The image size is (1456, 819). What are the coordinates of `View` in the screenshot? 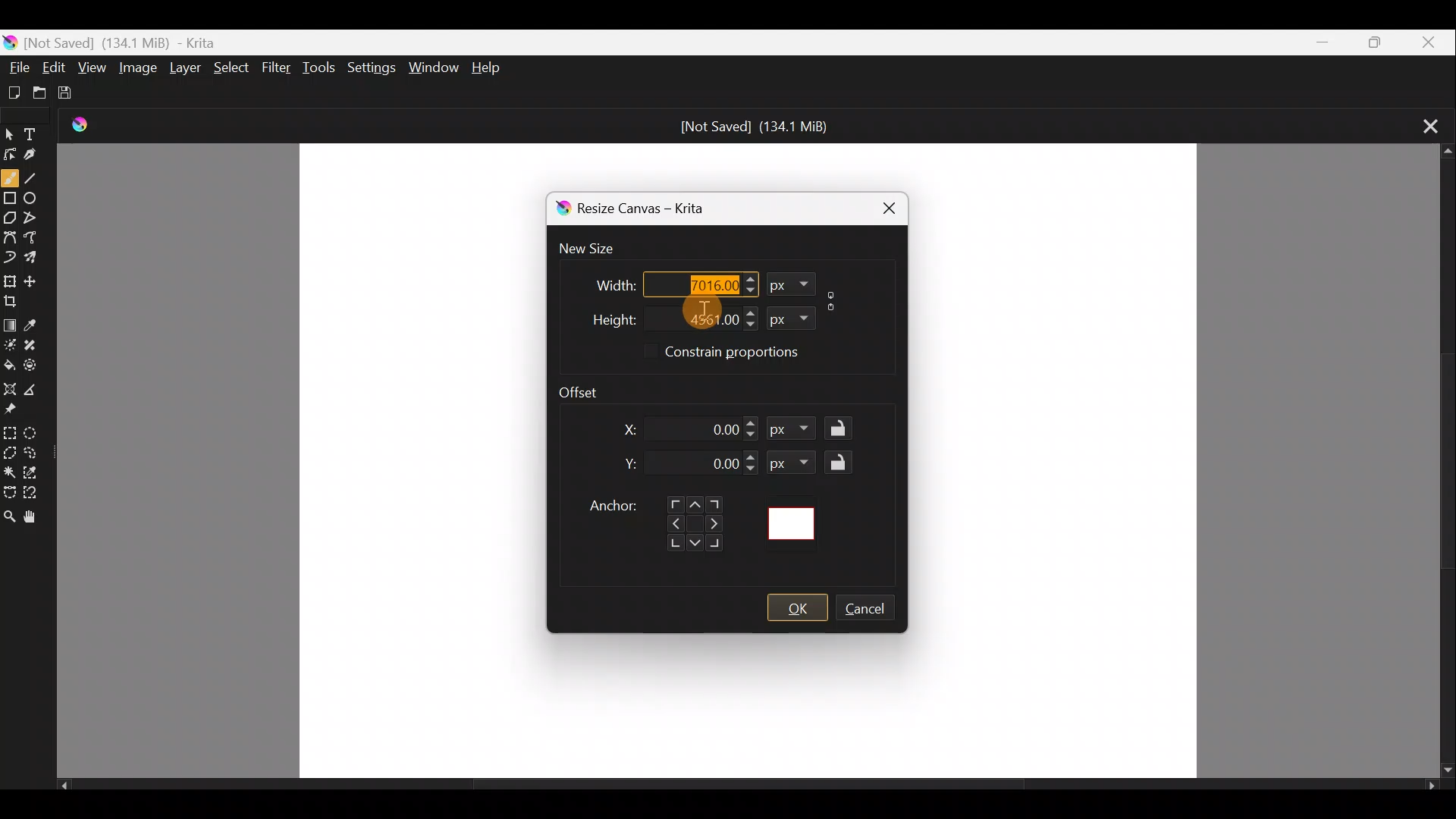 It's located at (93, 67).